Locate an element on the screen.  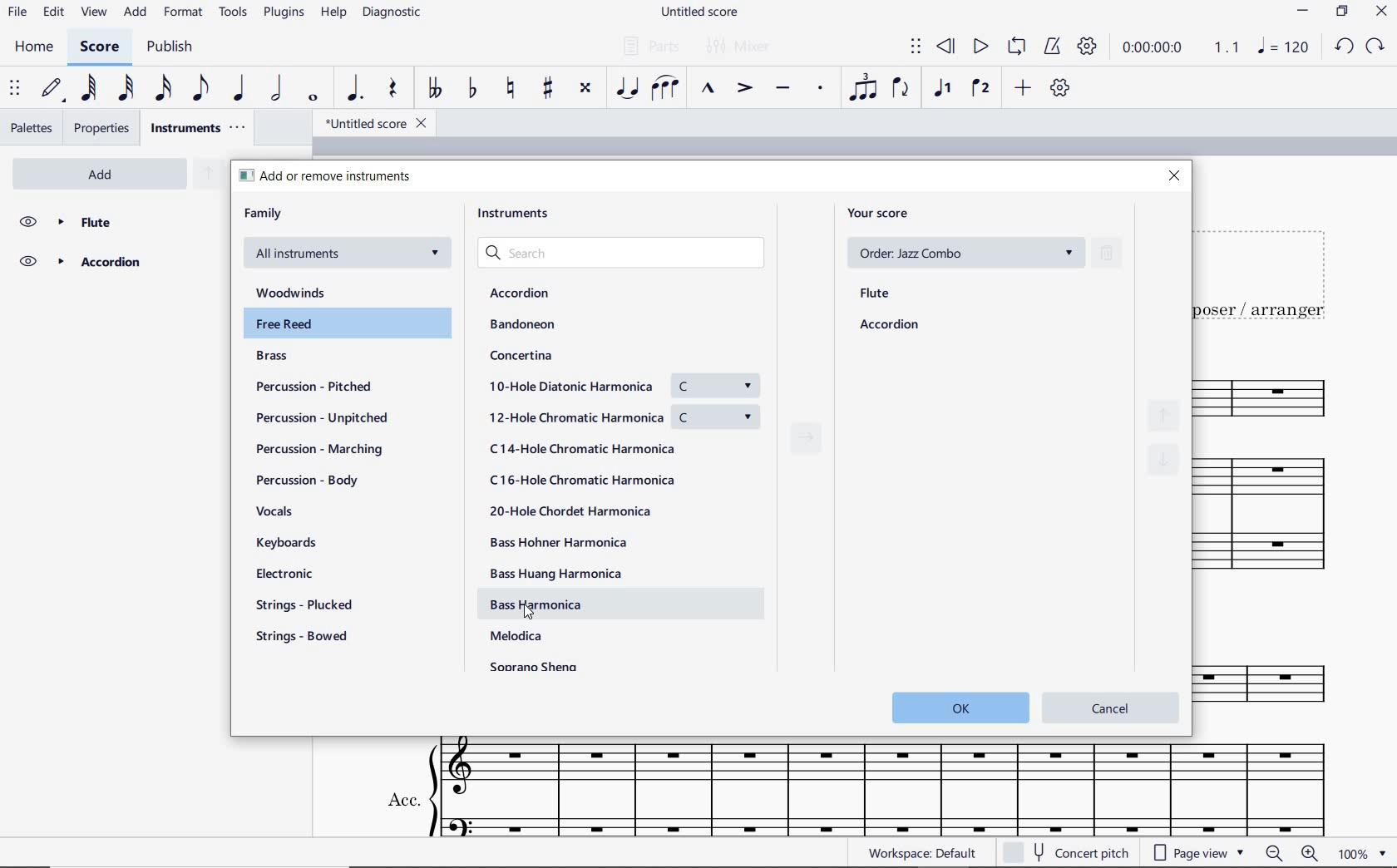
voice1 is located at coordinates (942, 89).